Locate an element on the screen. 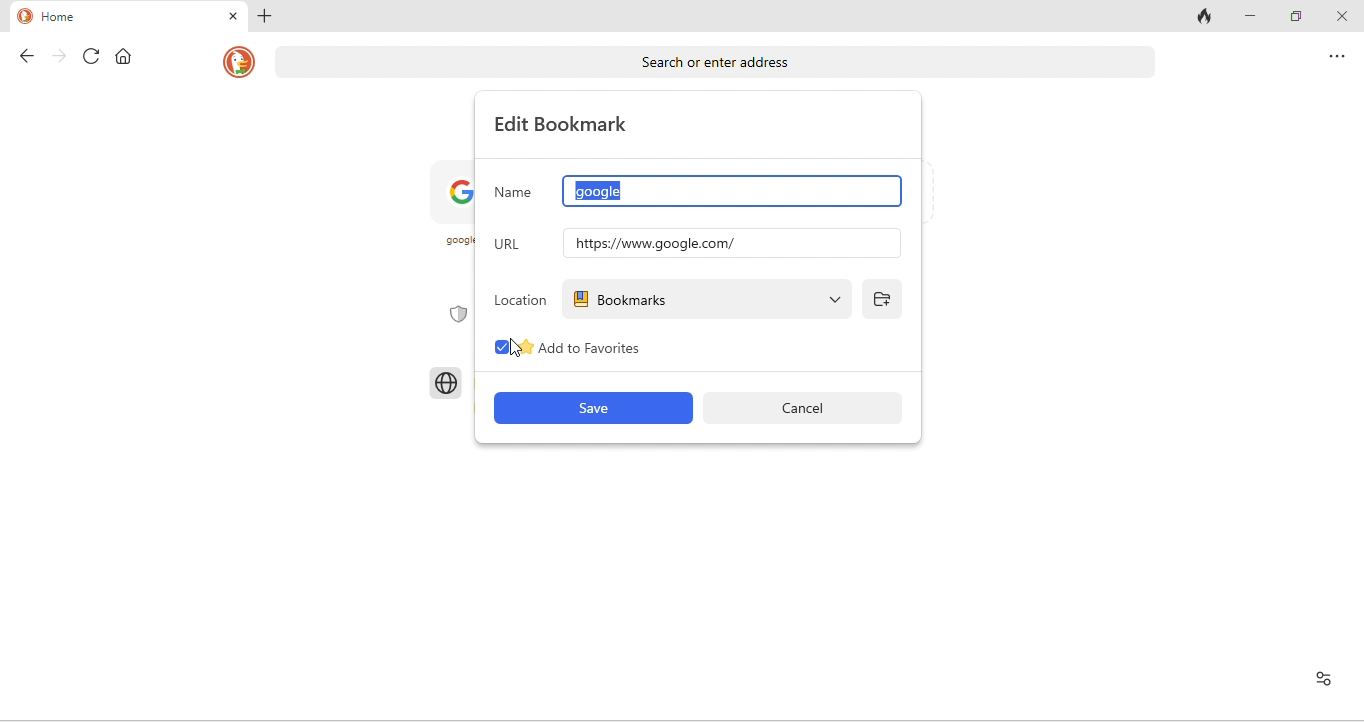 The height and width of the screenshot is (722, 1364). home is located at coordinates (73, 16).